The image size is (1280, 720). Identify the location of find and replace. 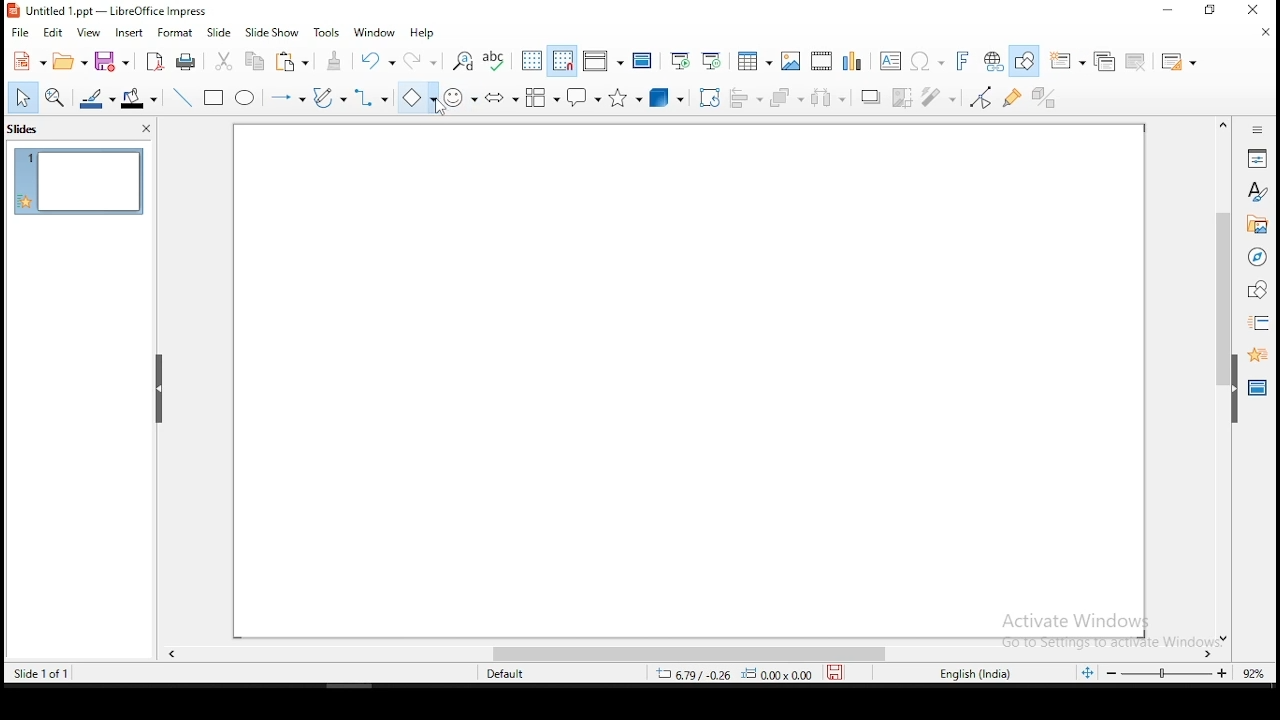
(464, 60).